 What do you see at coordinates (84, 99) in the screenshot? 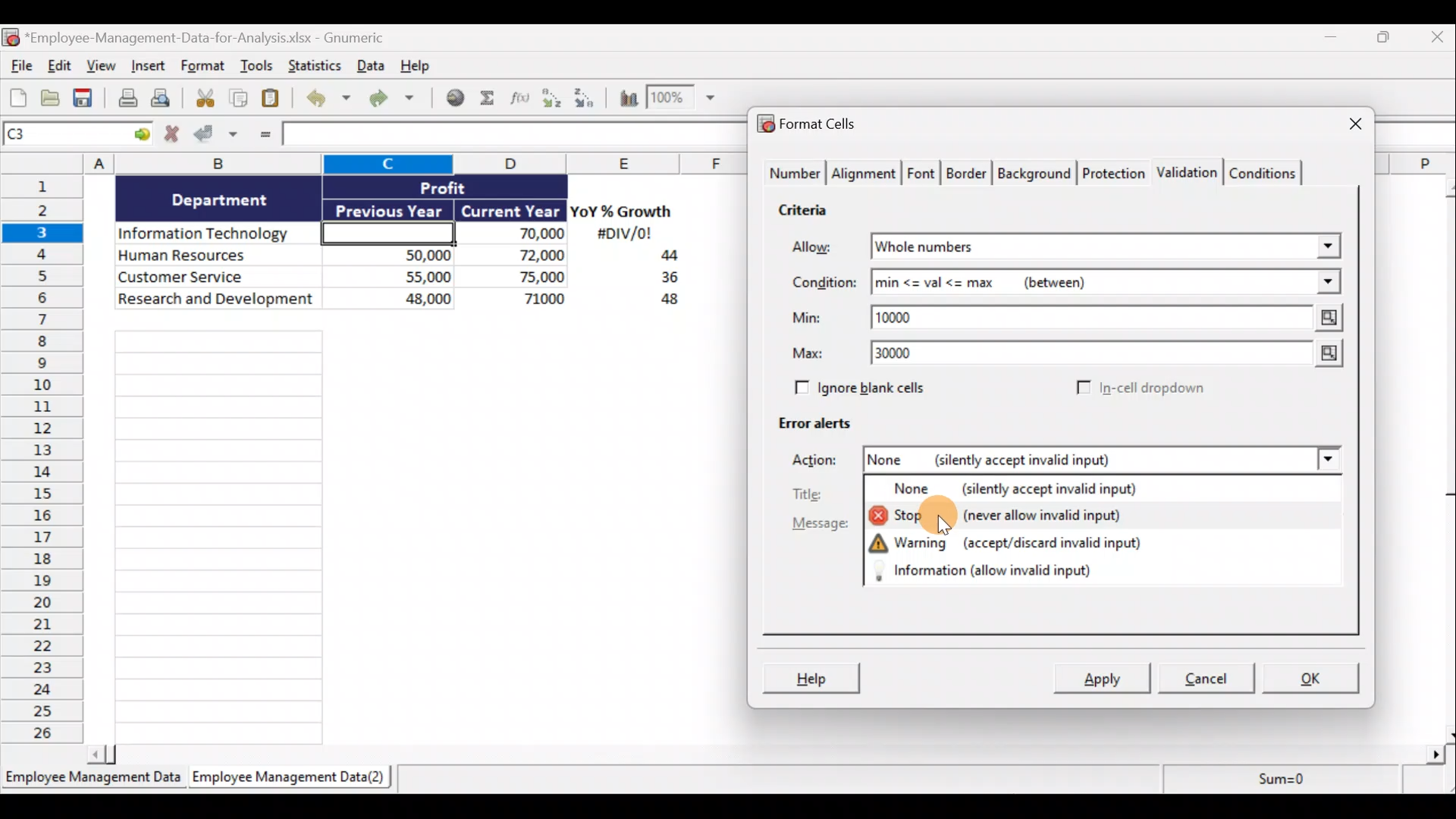
I see `Save current workbook` at bounding box center [84, 99].